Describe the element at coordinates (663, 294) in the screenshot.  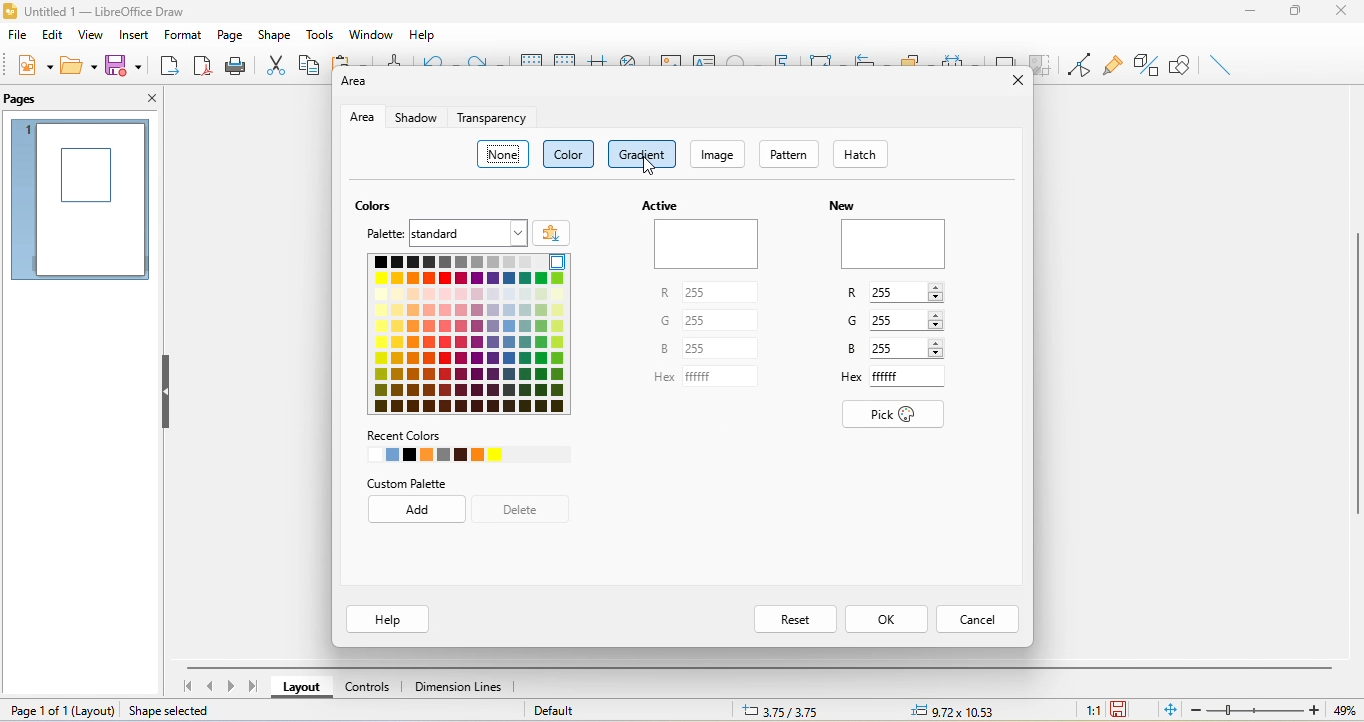
I see `r` at that location.